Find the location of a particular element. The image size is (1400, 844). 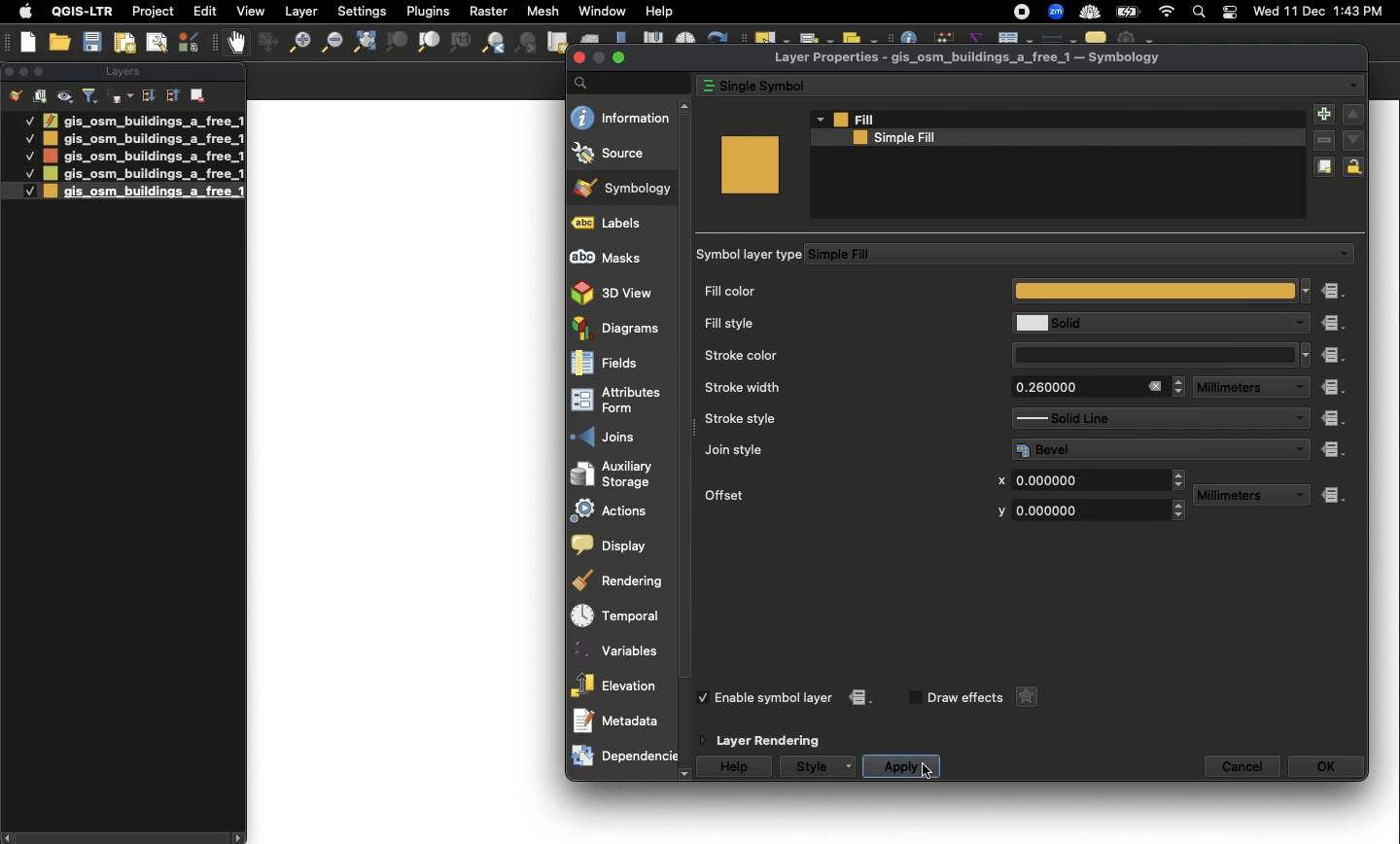

Layer rendering is located at coordinates (775, 741).